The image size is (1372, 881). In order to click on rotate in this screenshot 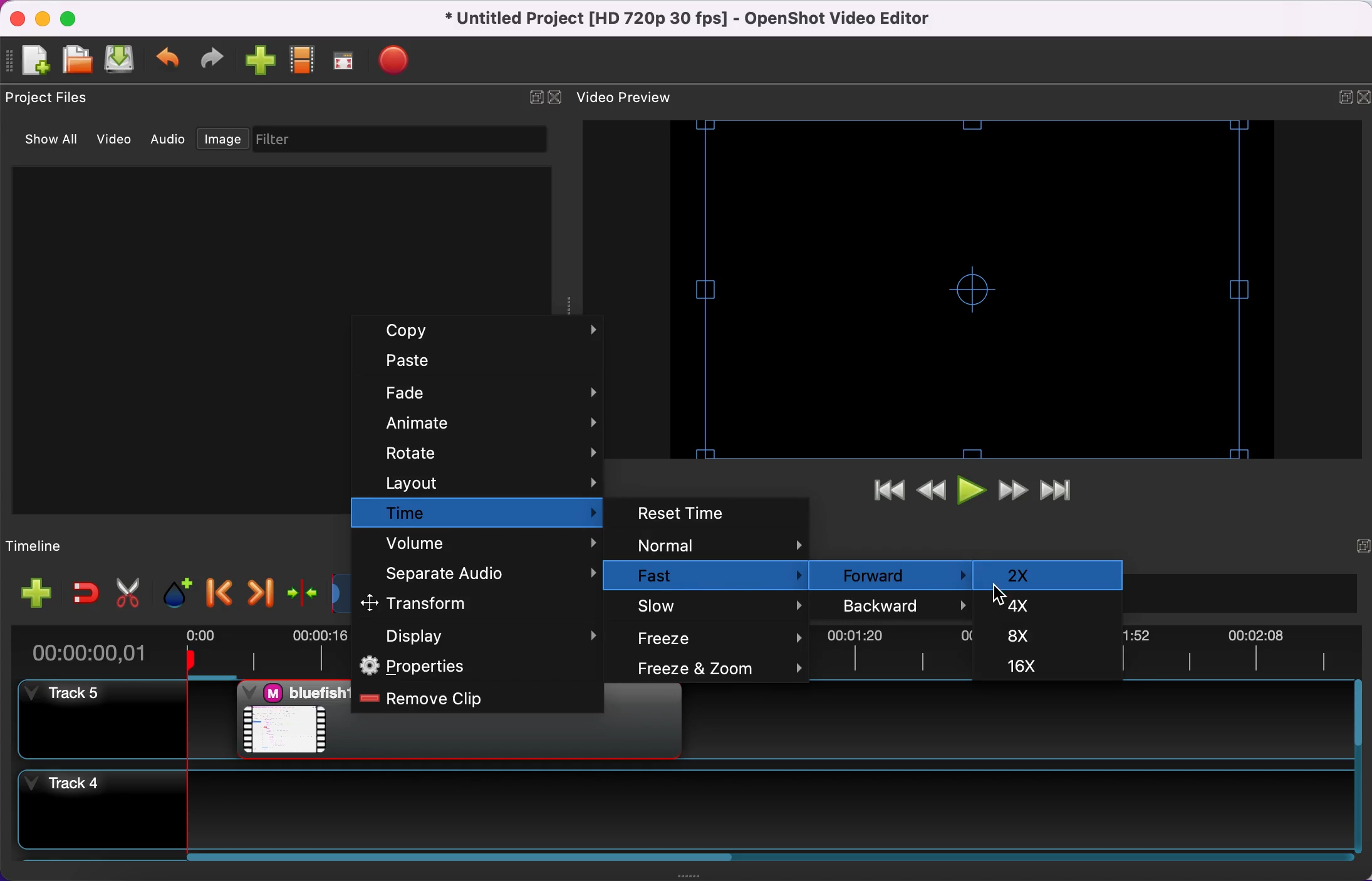, I will do `click(486, 456)`.